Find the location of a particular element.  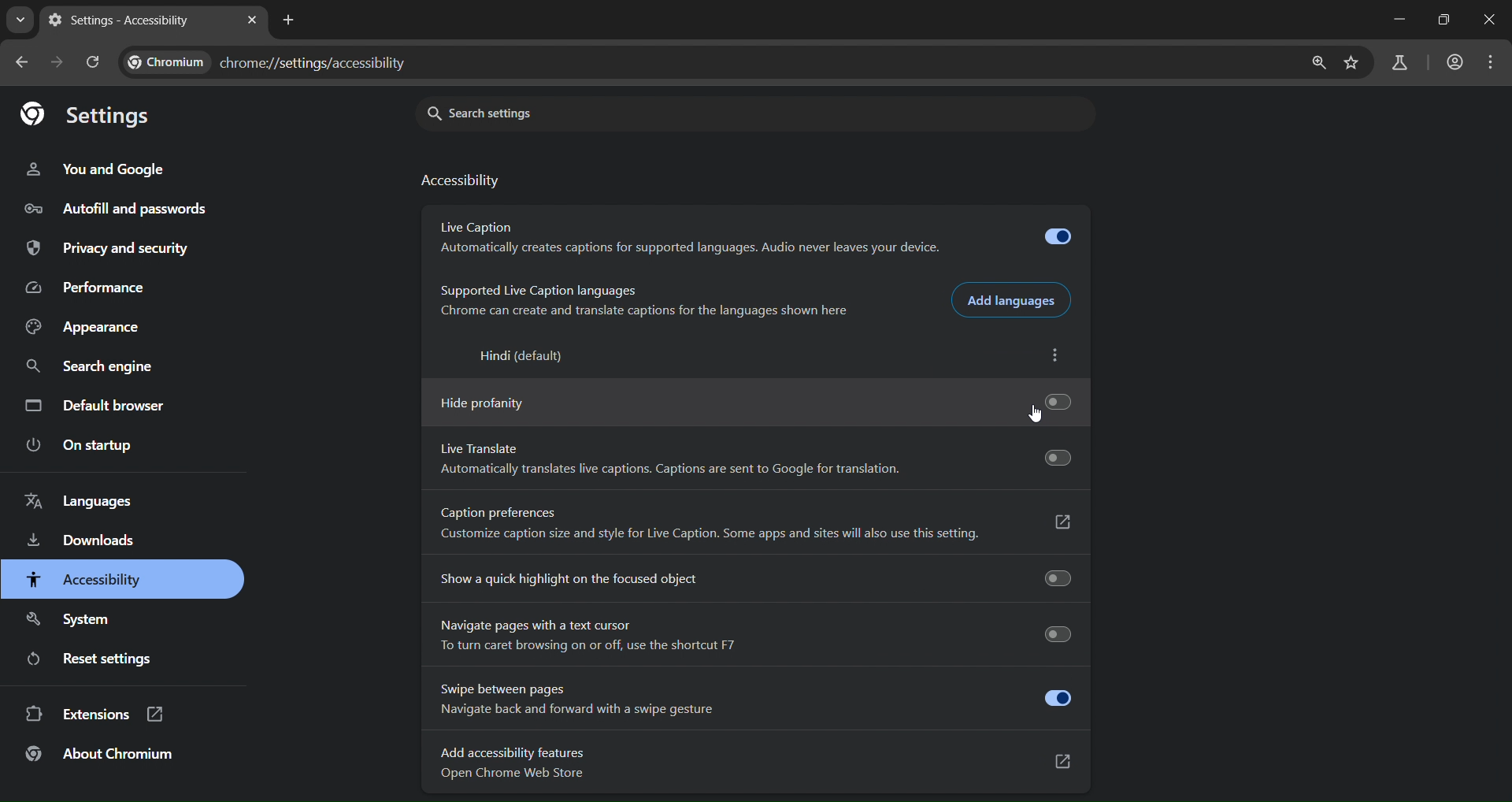

new tab is located at coordinates (250, 20).